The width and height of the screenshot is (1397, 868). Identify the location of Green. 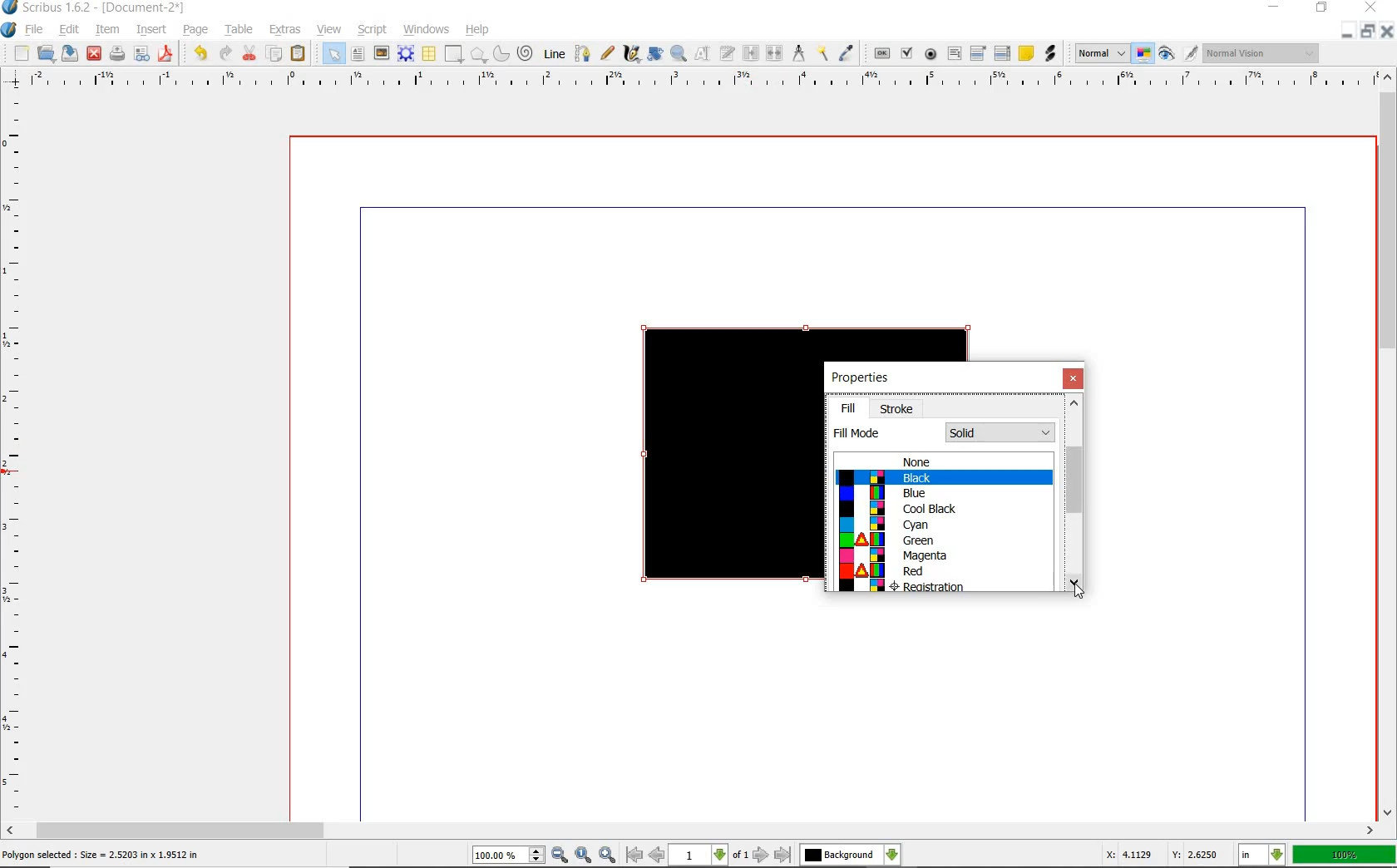
(942, 540).